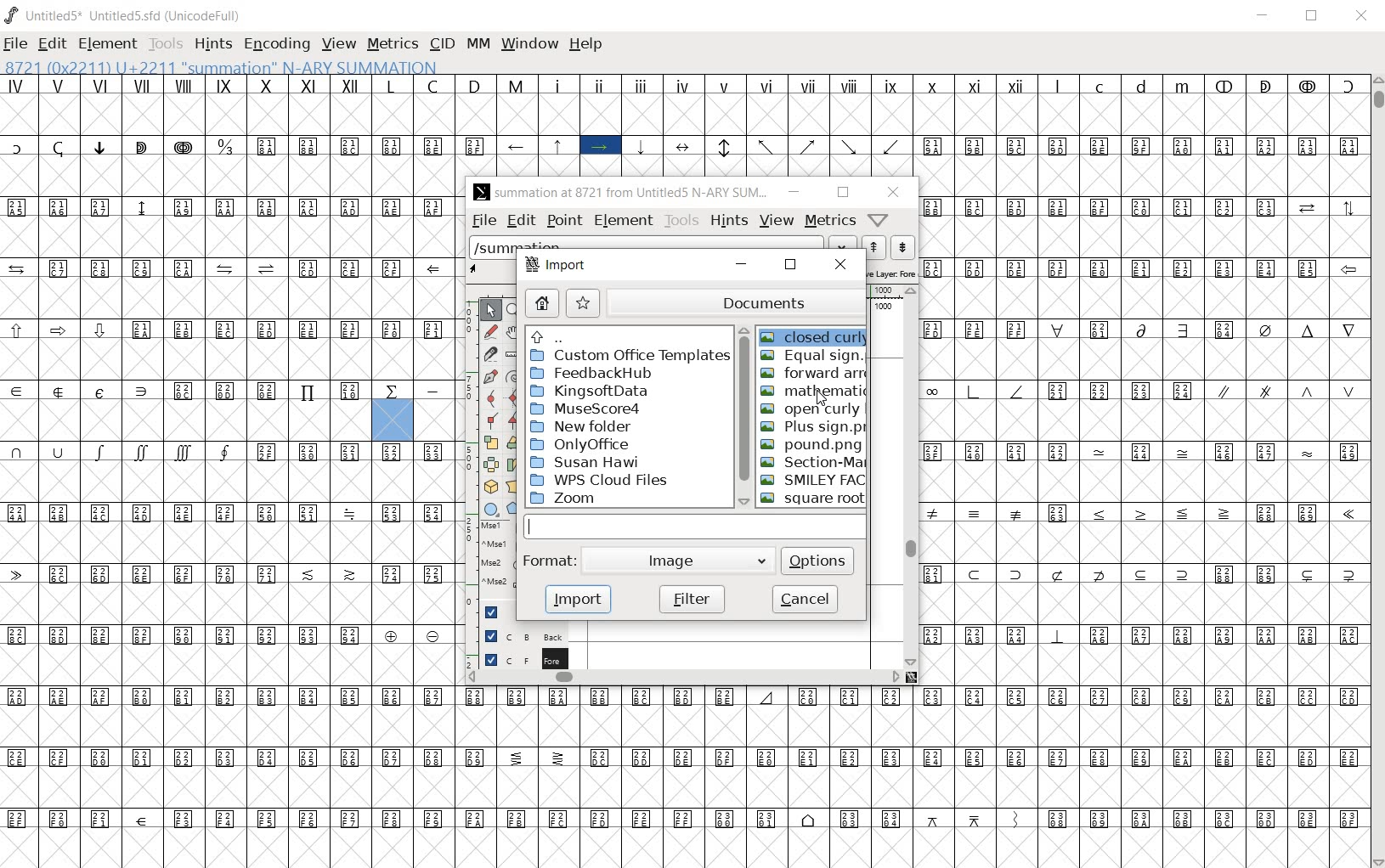  Describe the element at coordinates (586, 461) in the screenshot. I see `Susan Hawi` at that location.